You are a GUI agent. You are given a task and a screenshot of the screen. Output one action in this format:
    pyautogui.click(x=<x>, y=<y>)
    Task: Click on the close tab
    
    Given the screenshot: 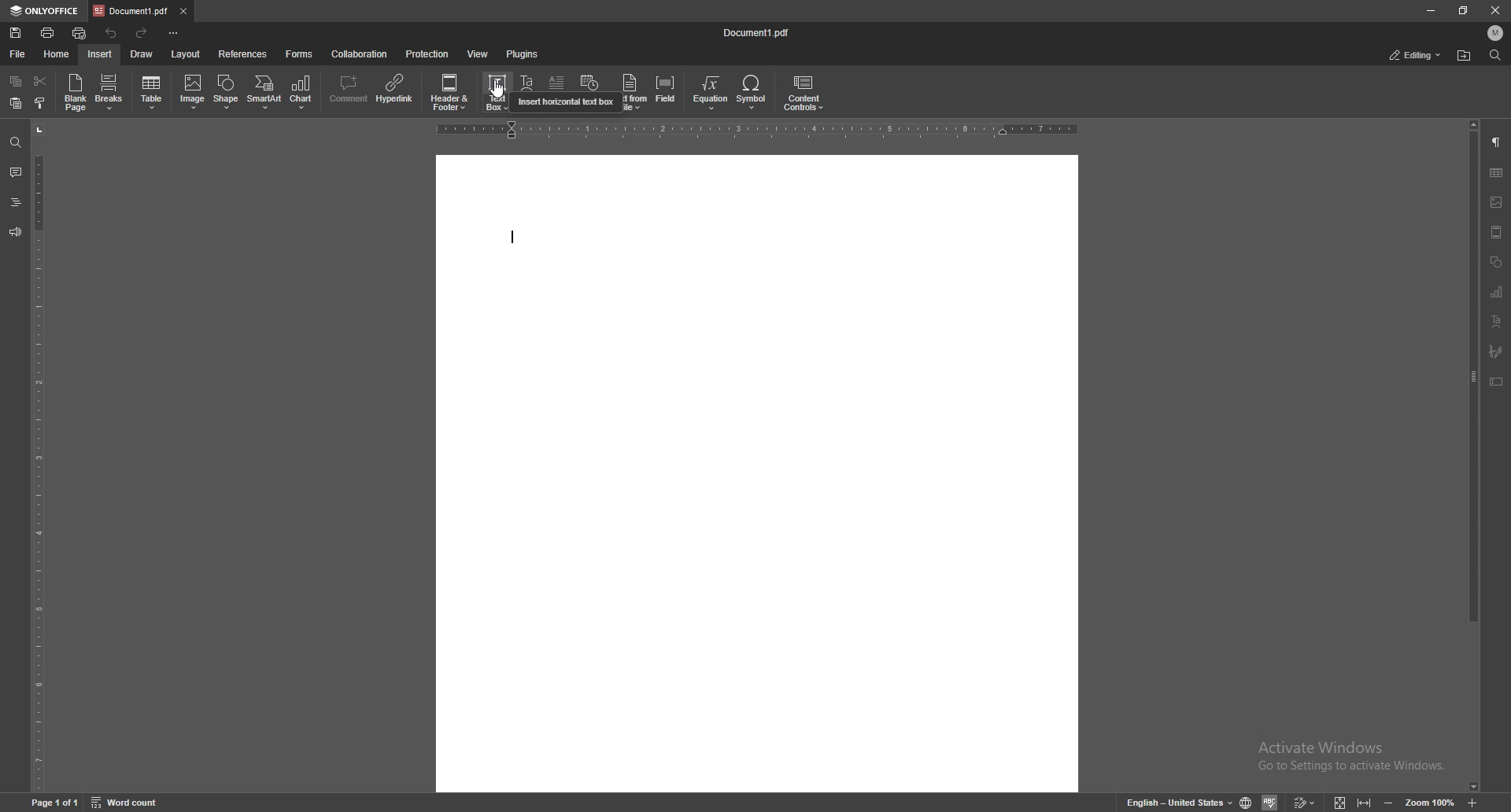 What is the action you would take?
    pyautogui.click(x=183, y=10)
    